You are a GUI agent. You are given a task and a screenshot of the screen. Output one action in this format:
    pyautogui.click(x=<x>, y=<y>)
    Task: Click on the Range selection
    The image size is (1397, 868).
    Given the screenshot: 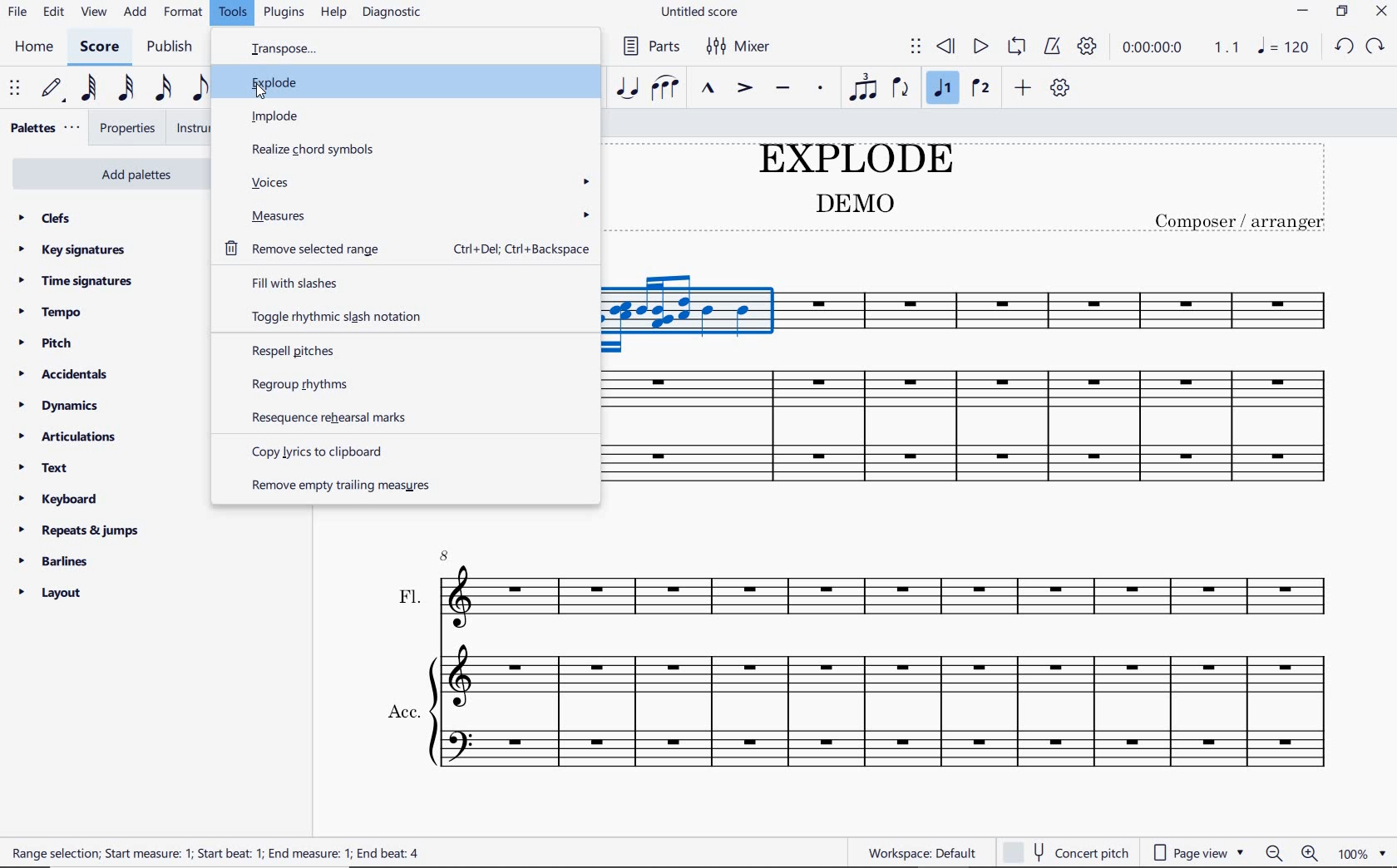 What is the action you would take?
    pyautogui.click(x=218, y=856)
    